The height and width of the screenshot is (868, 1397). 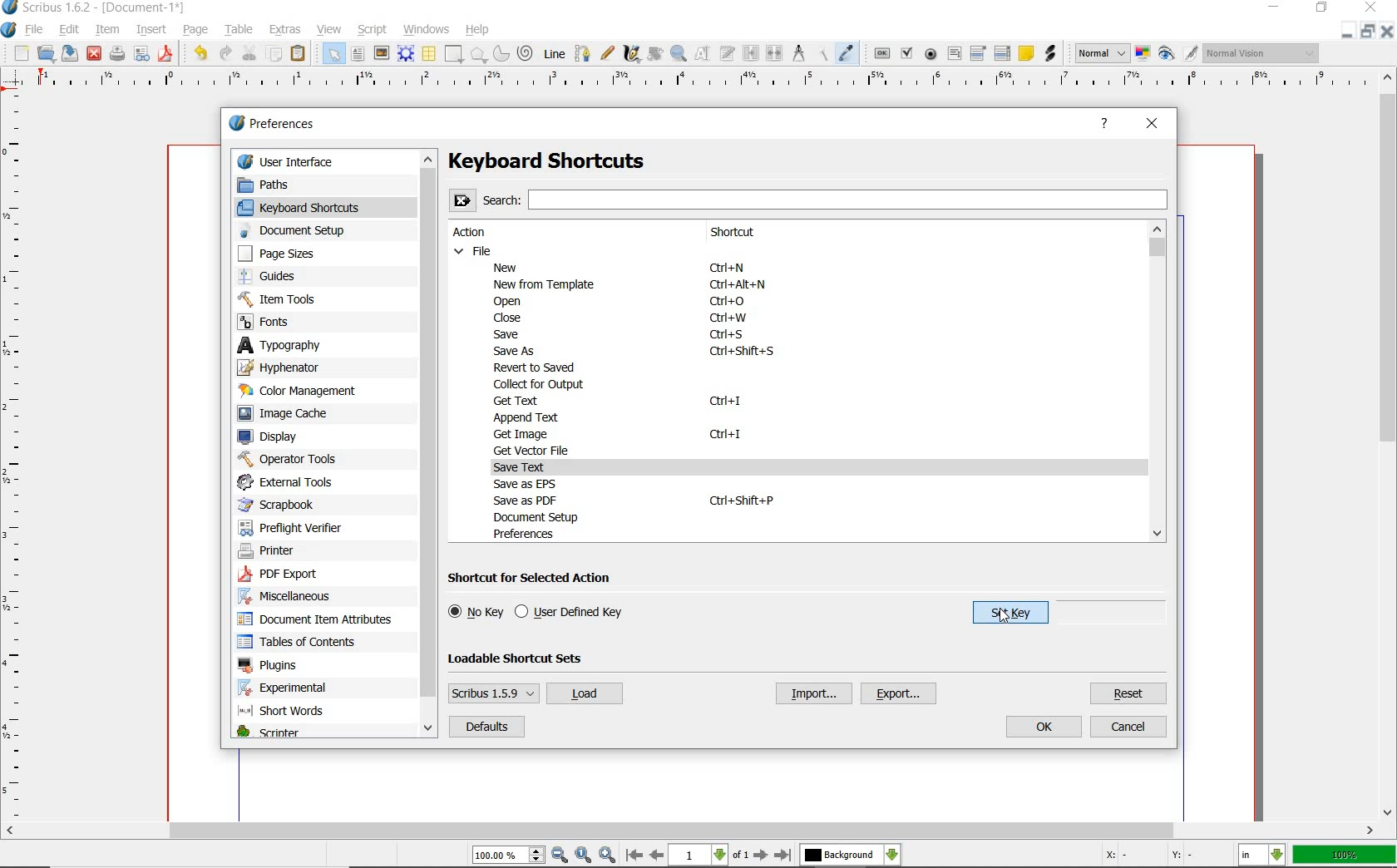 What do you see at coordinates (167, 55) in the screenshot?
I see `save as pdf` at bounding box center [167, 55].